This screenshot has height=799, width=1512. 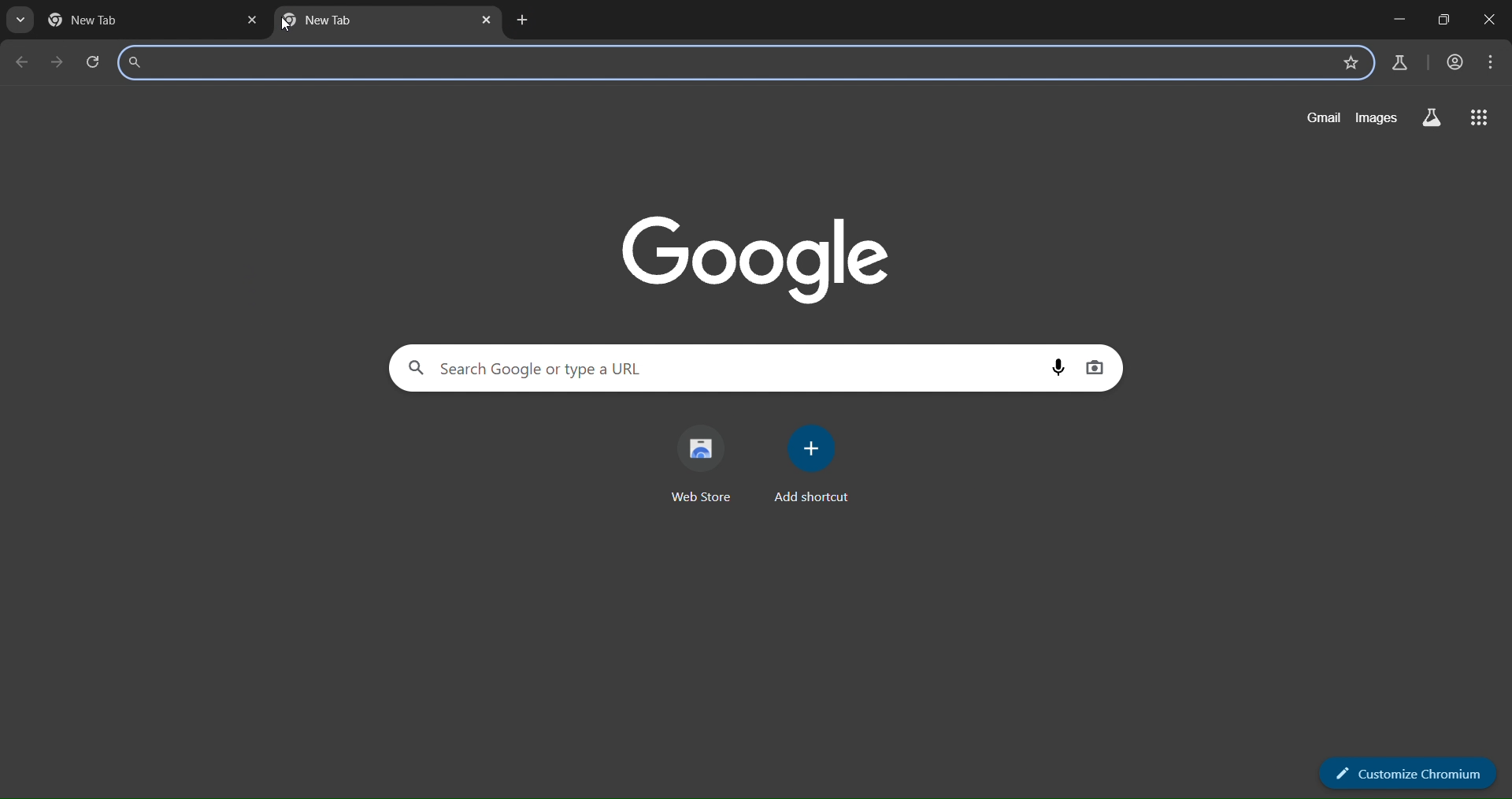 I want to click on web store, so click(x=705, y=465).